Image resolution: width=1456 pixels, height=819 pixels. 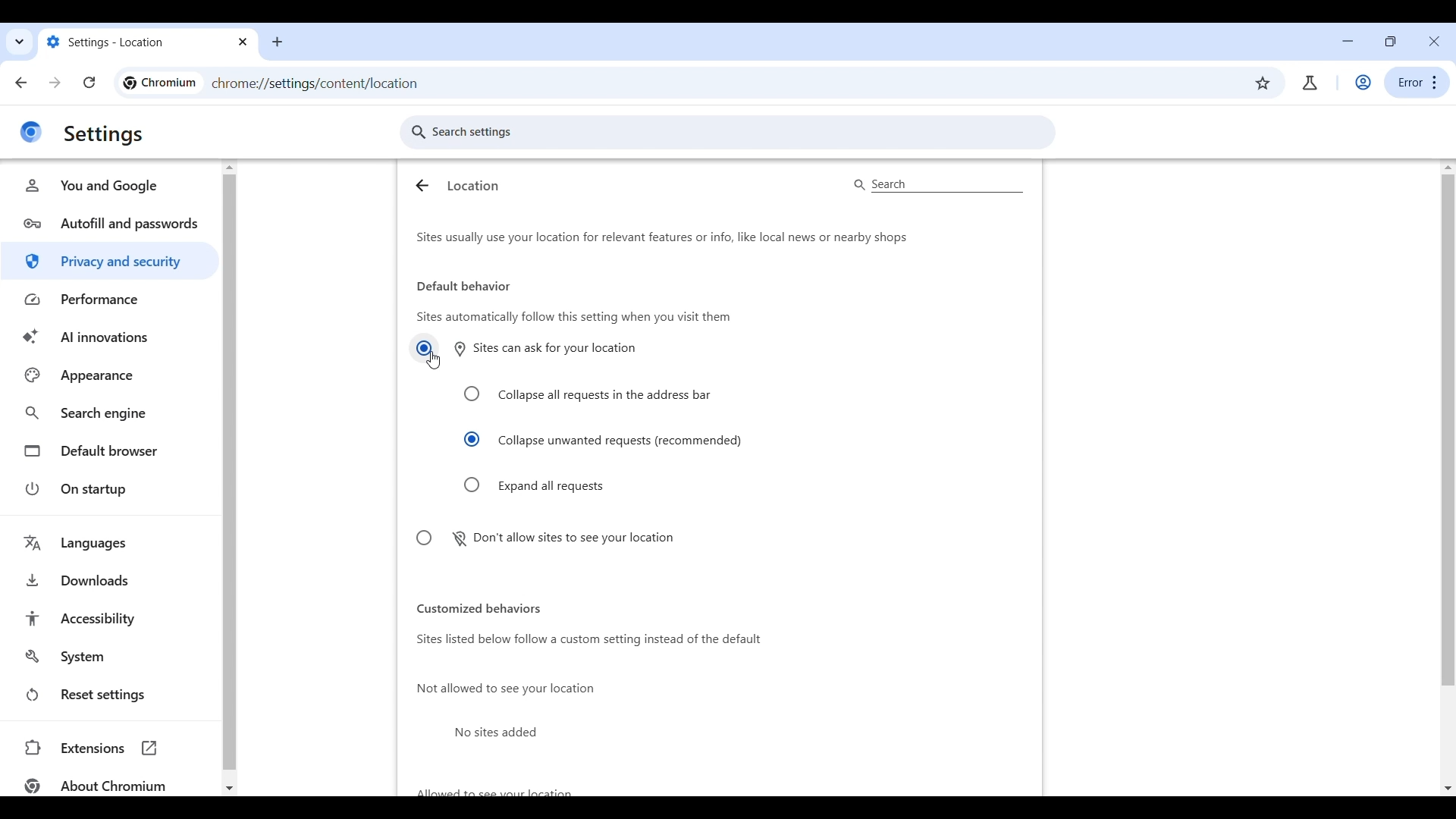 I want to click on Quick slide to top, so click(x=1448, y=166).